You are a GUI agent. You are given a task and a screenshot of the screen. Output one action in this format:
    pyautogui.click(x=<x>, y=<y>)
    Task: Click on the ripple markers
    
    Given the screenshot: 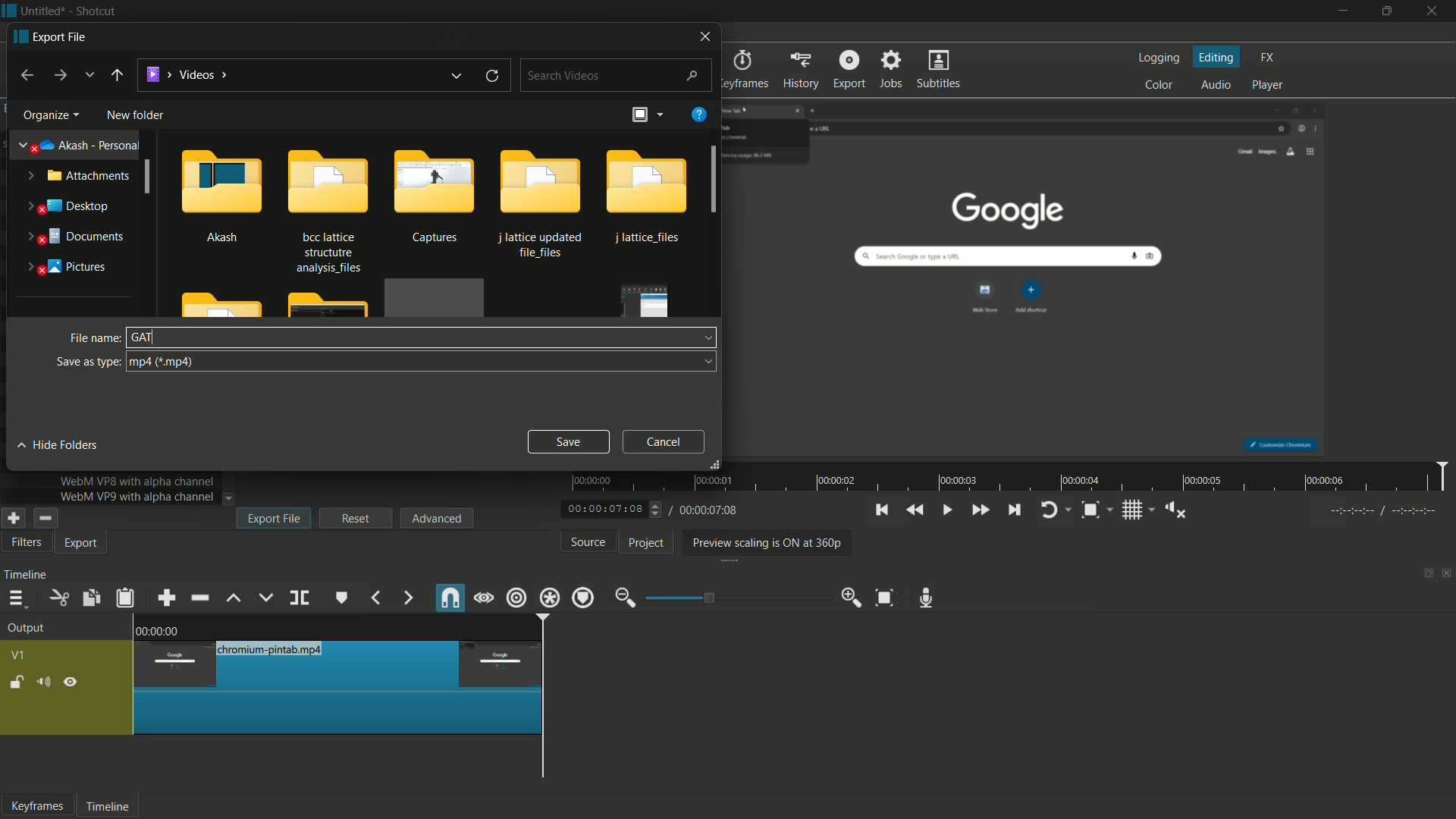 What is the action you would take?
    pyautogui.click(x=583, y=598)
    